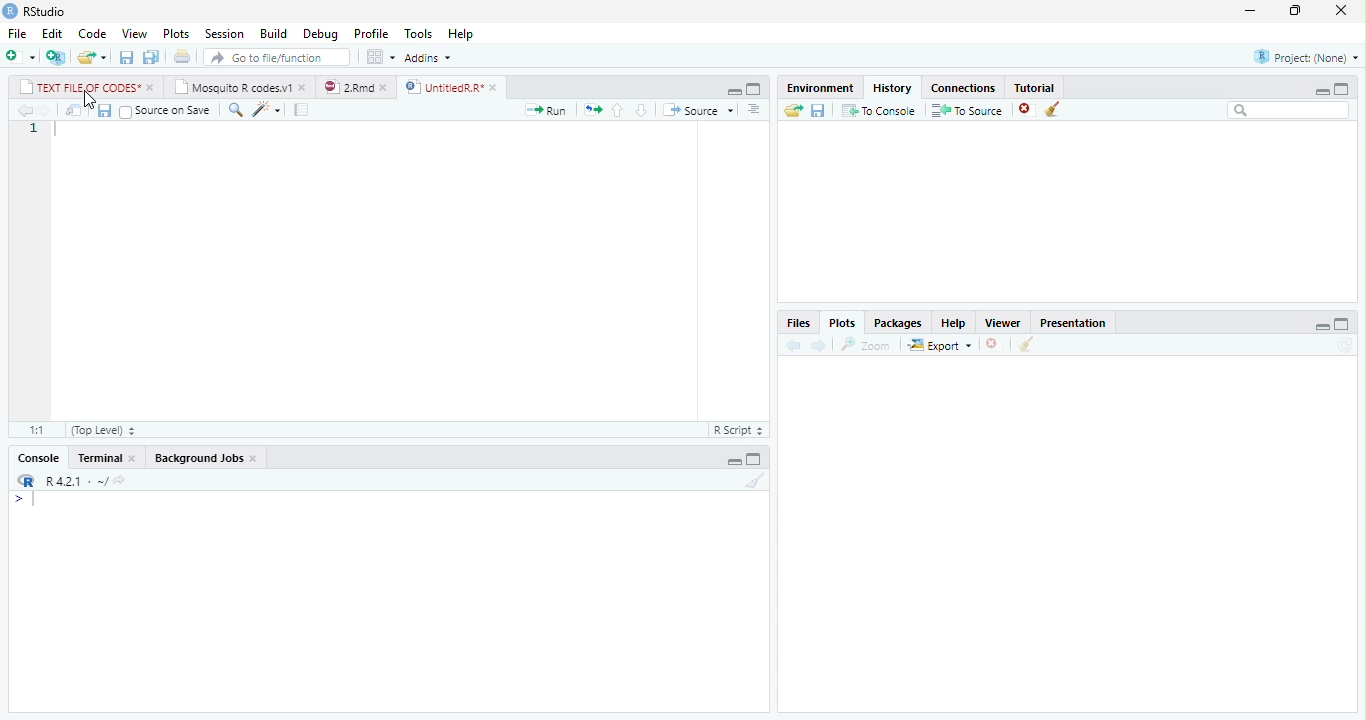  What do you see at coordinates (734, 92) in the screenshot?
I see `minimize` at bounding box center [734, 92].